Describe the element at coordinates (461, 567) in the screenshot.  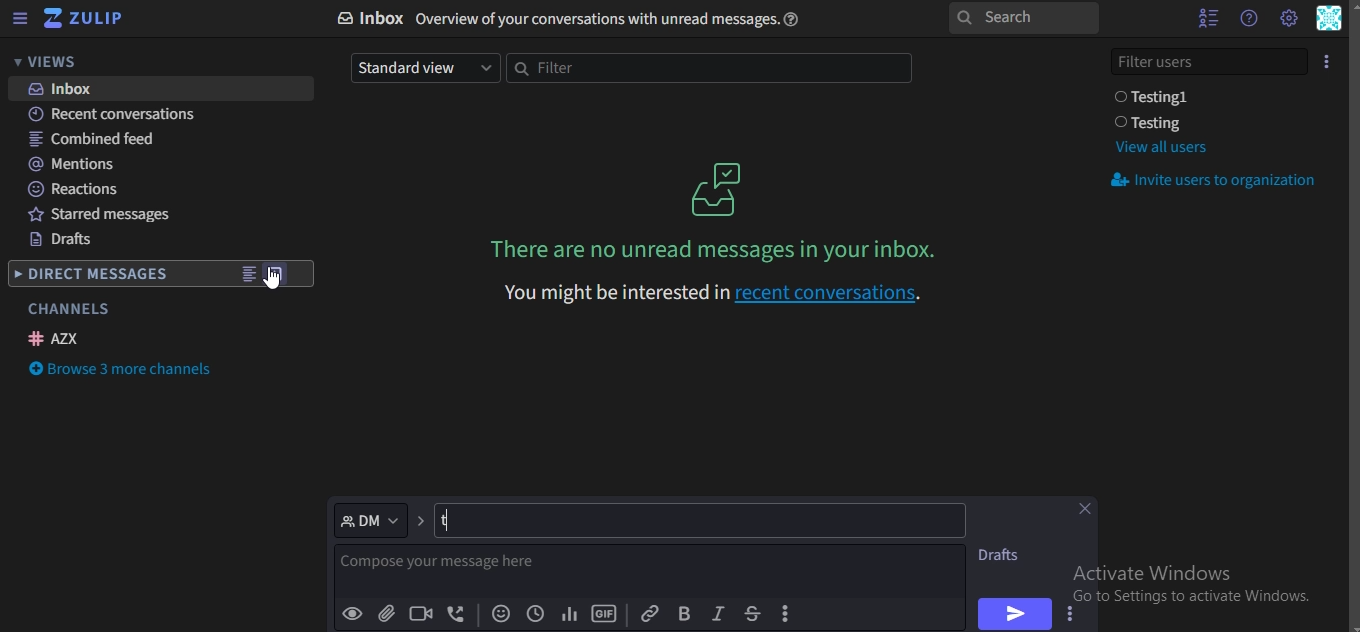
I see `text` at that location.